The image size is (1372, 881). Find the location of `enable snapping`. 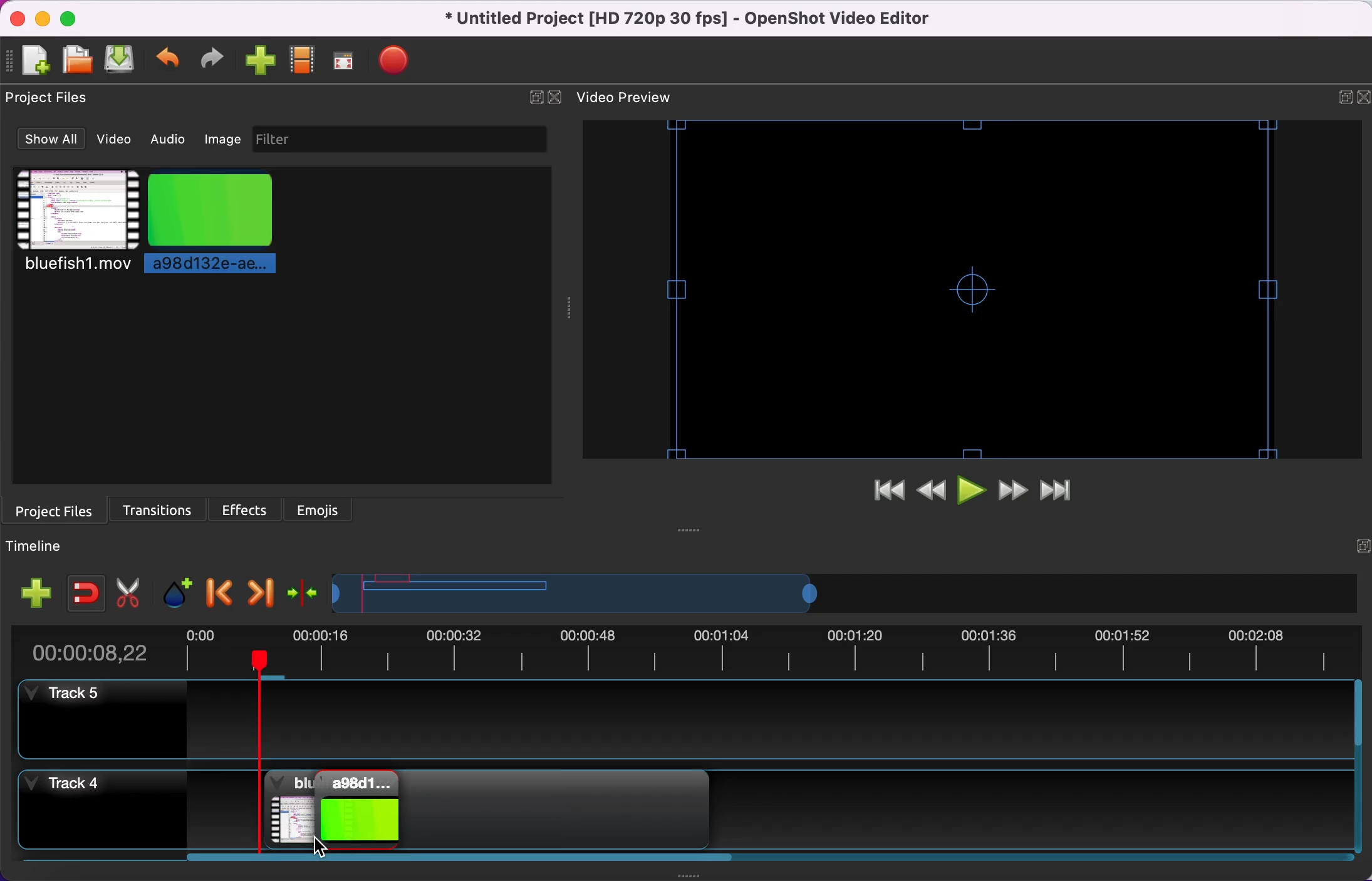

enable snapping is located at coordinates (84, 590).